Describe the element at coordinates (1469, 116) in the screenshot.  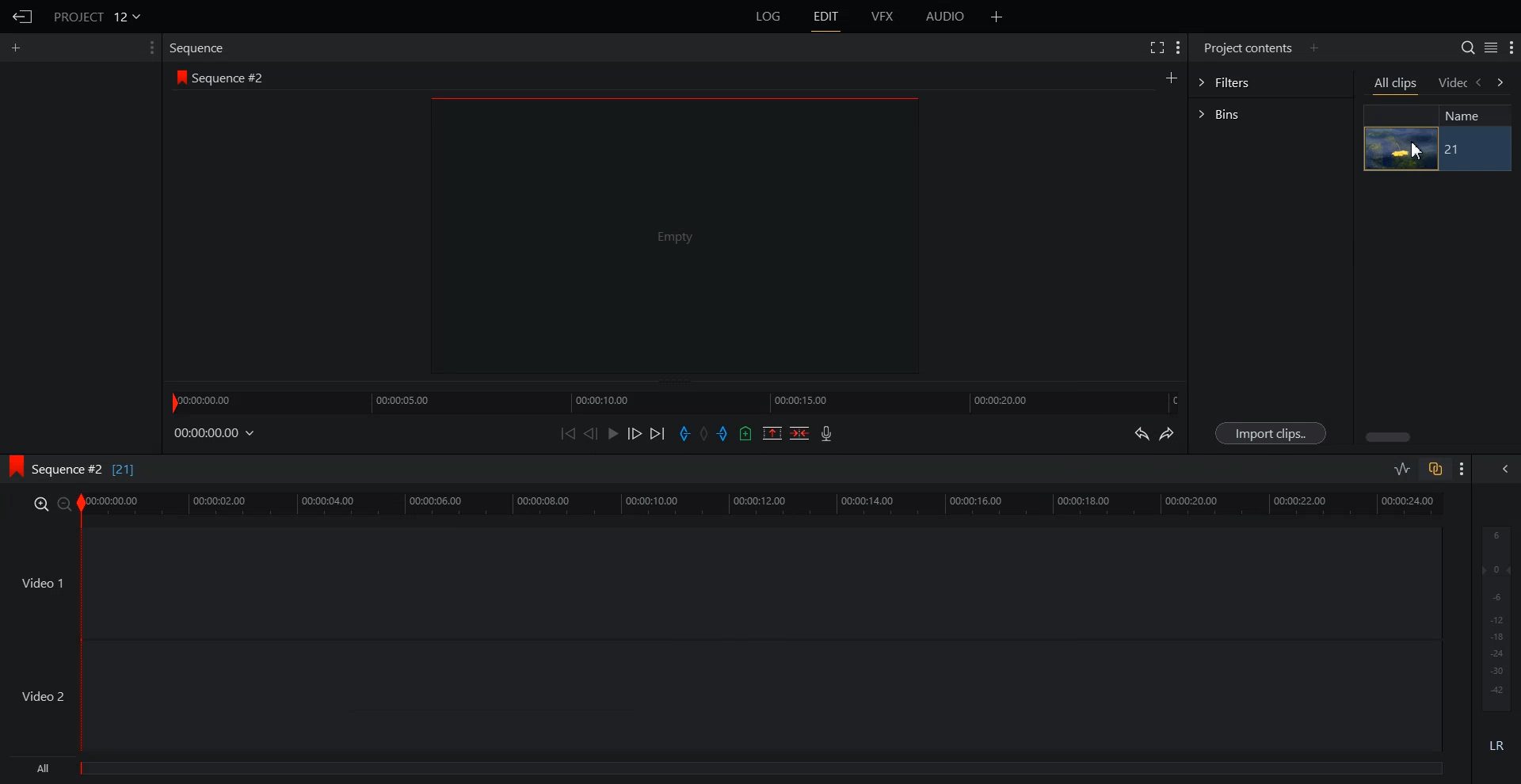
I see `Name` at that location.